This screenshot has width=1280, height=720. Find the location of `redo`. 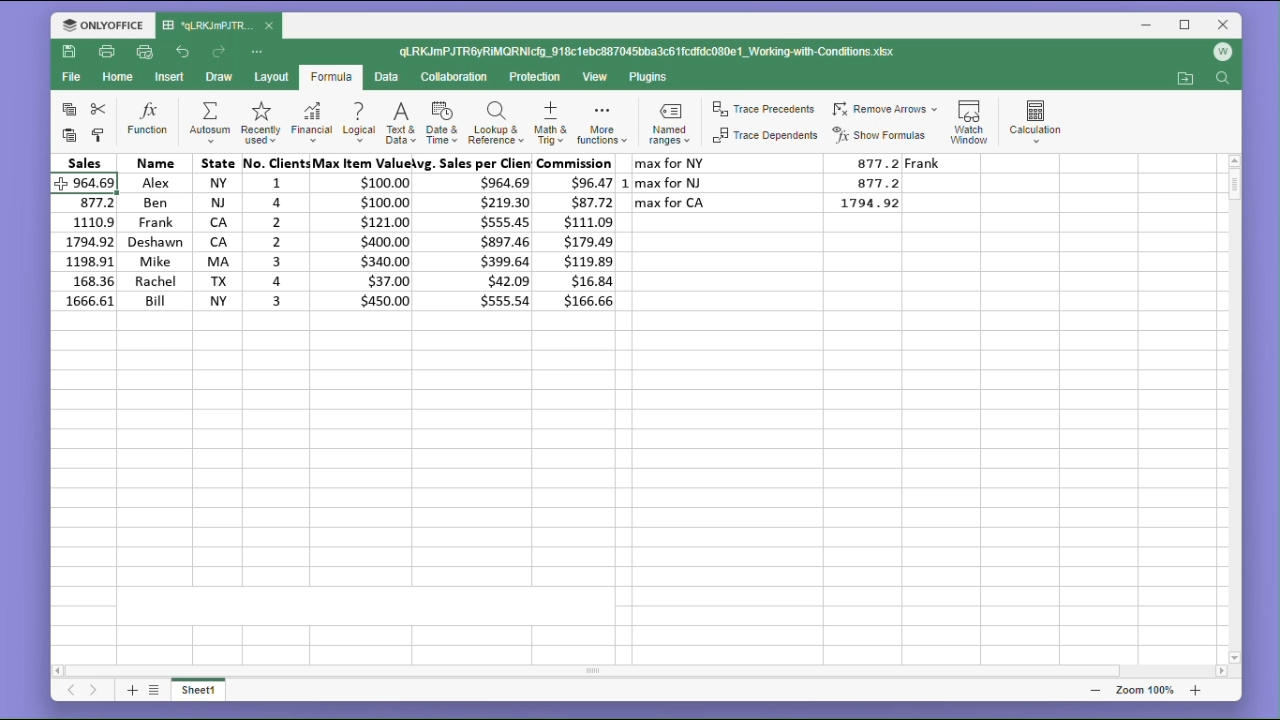

redo is located at coordinates (221, 52).